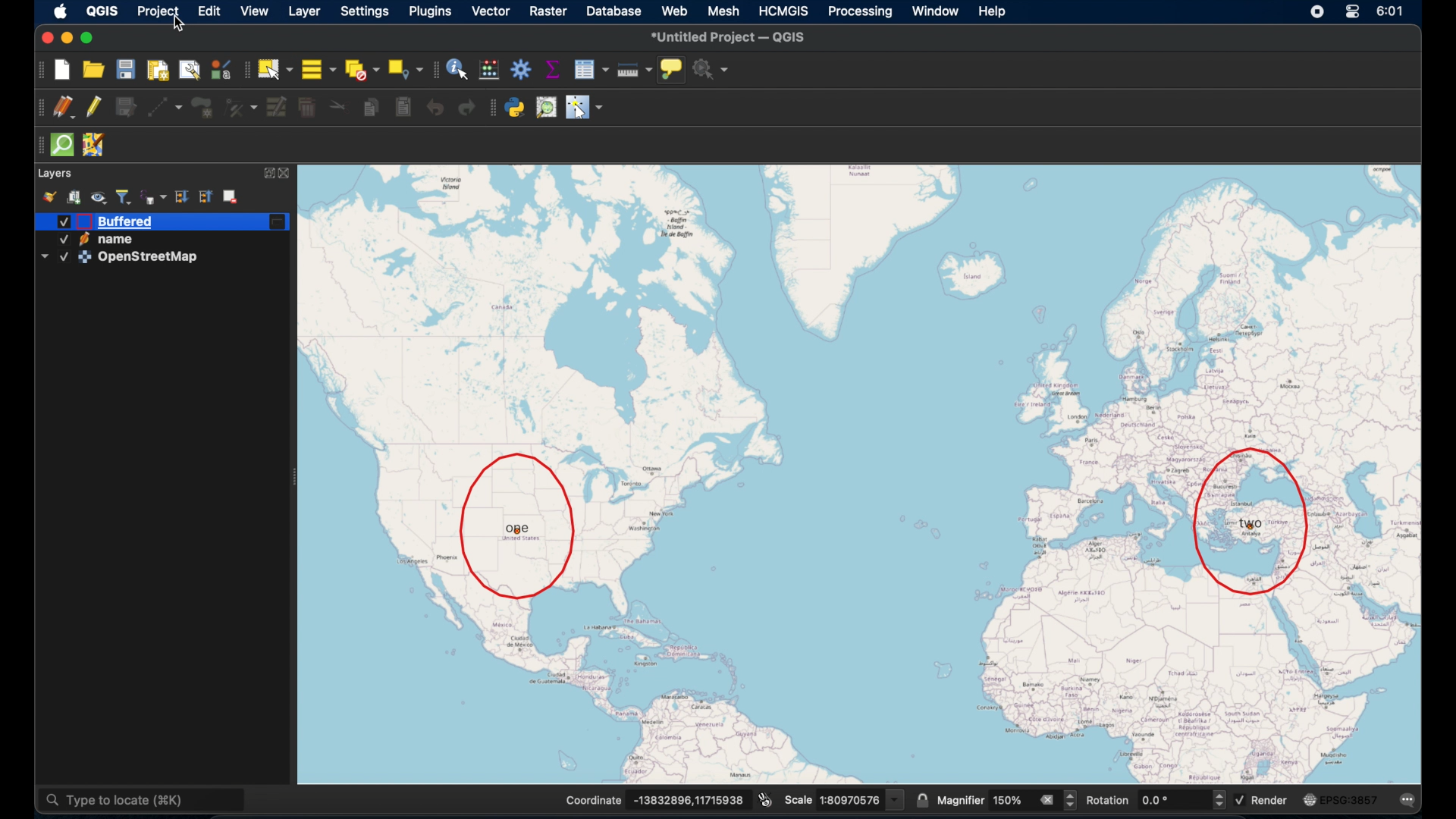  Describe the element at coordinates (725, 10) in the screenshot. I see `mesh` at that location.